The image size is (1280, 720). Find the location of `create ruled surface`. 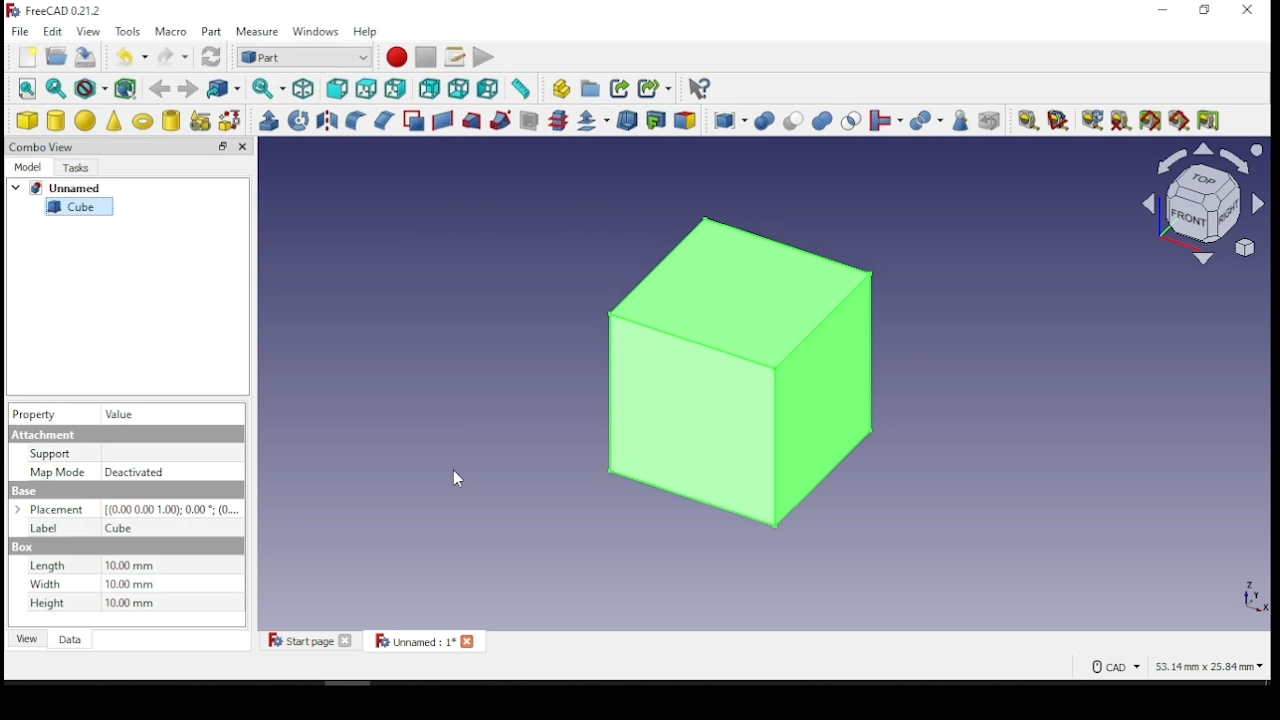

create ruled surface is located at coordinates (443, 121).